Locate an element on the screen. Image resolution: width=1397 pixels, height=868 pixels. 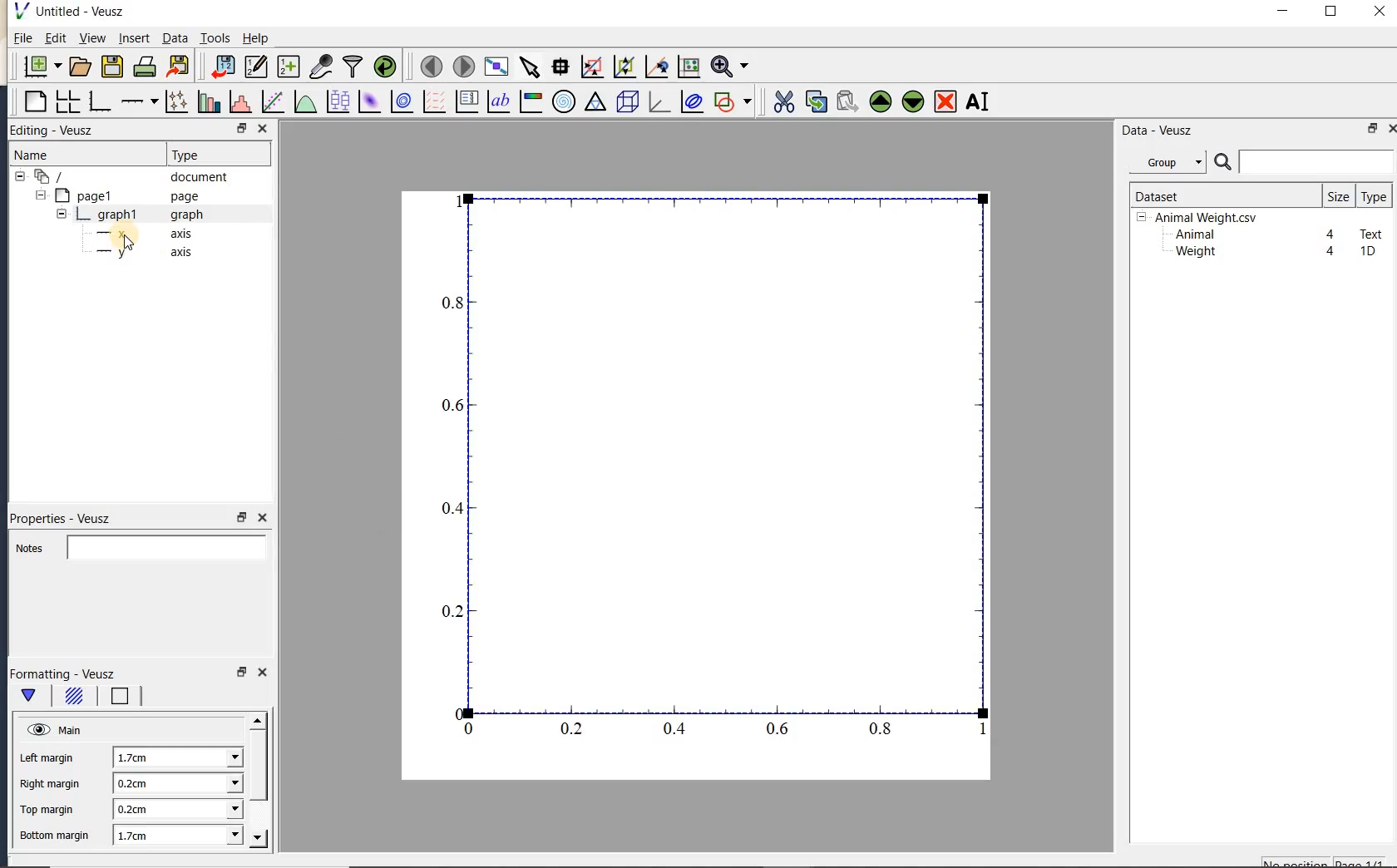
import data into Veusz is located at coordinates (223, 67).